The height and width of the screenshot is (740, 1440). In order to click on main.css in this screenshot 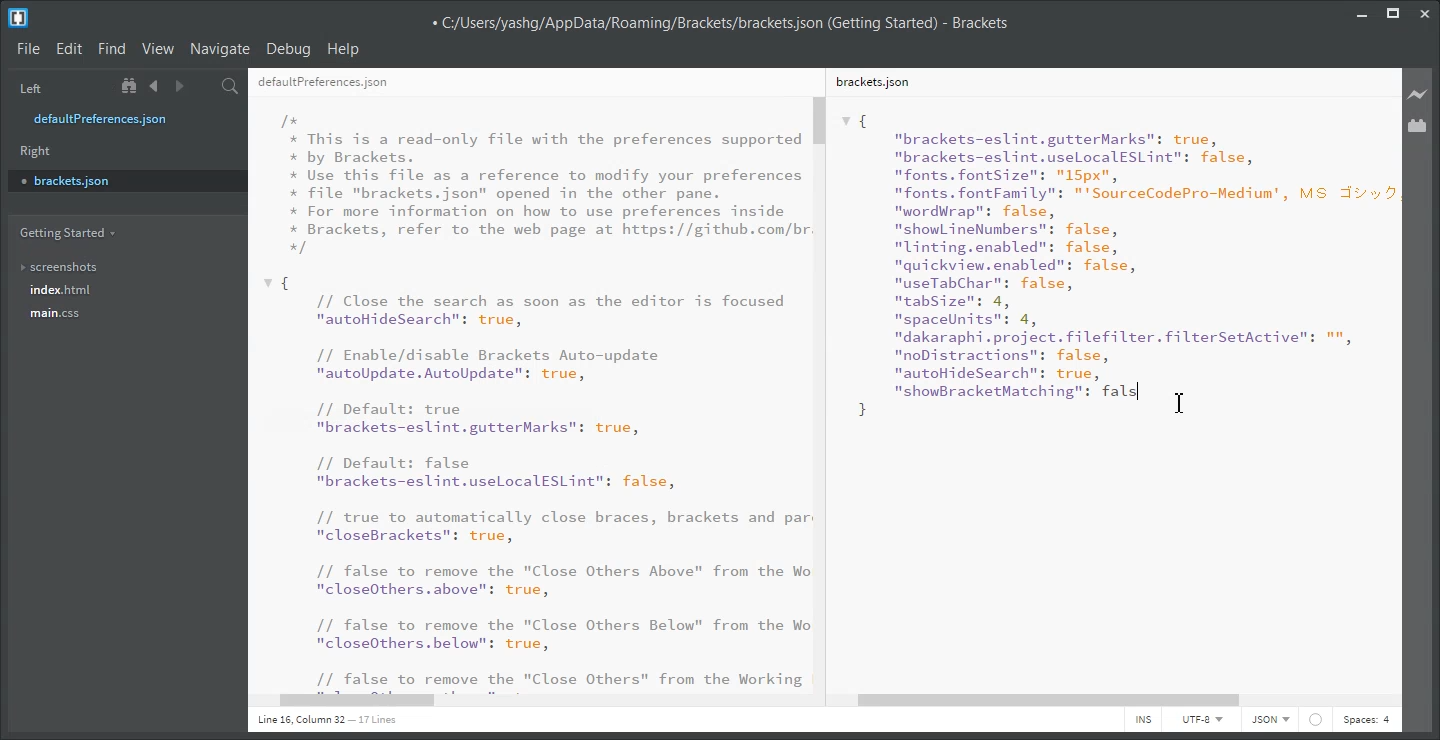, I will do `click(58, 313)`.